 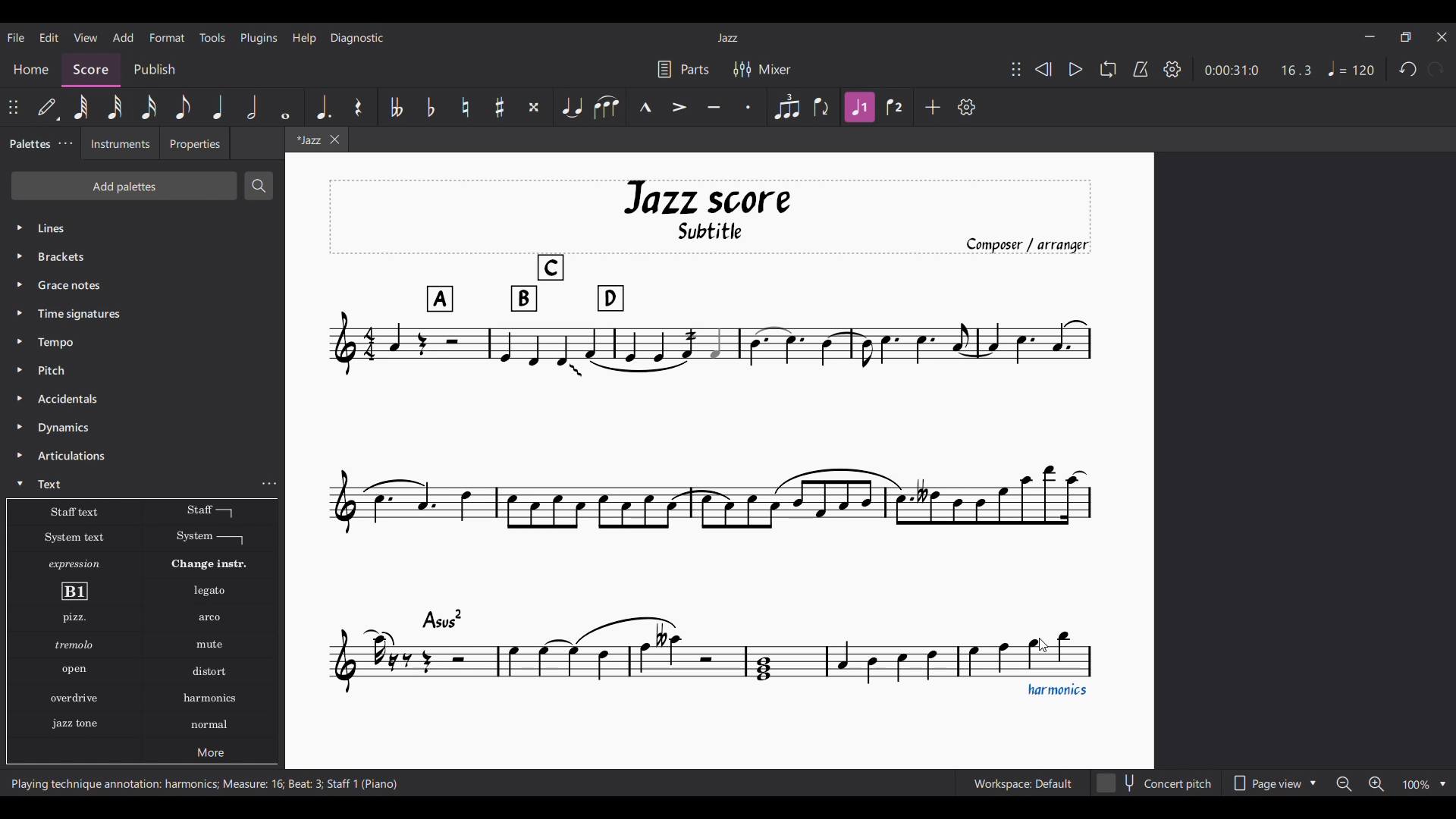 What do you see at coordinates (64, 429) in the screenshot?
I see `Dynamics` at bounding box center [64, 429].